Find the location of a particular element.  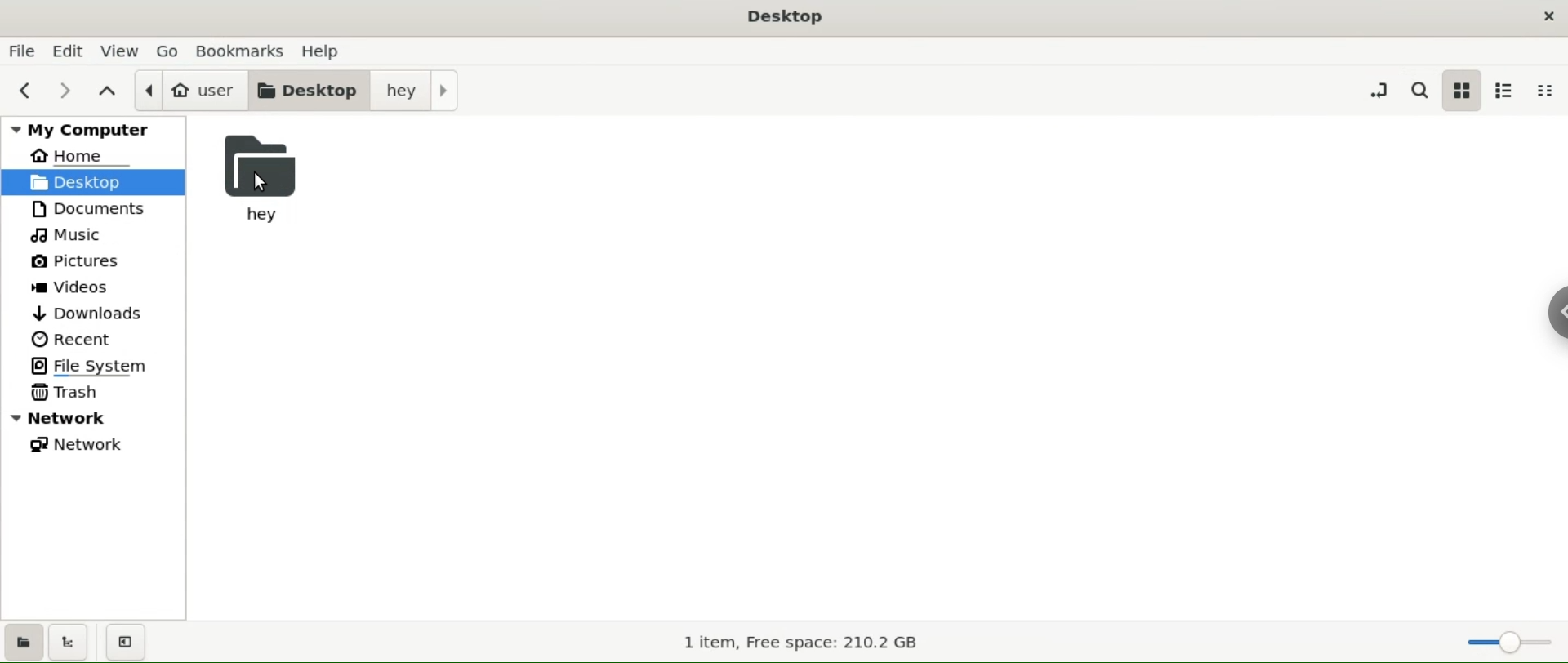

my computer is located at coordinates (96, 131).